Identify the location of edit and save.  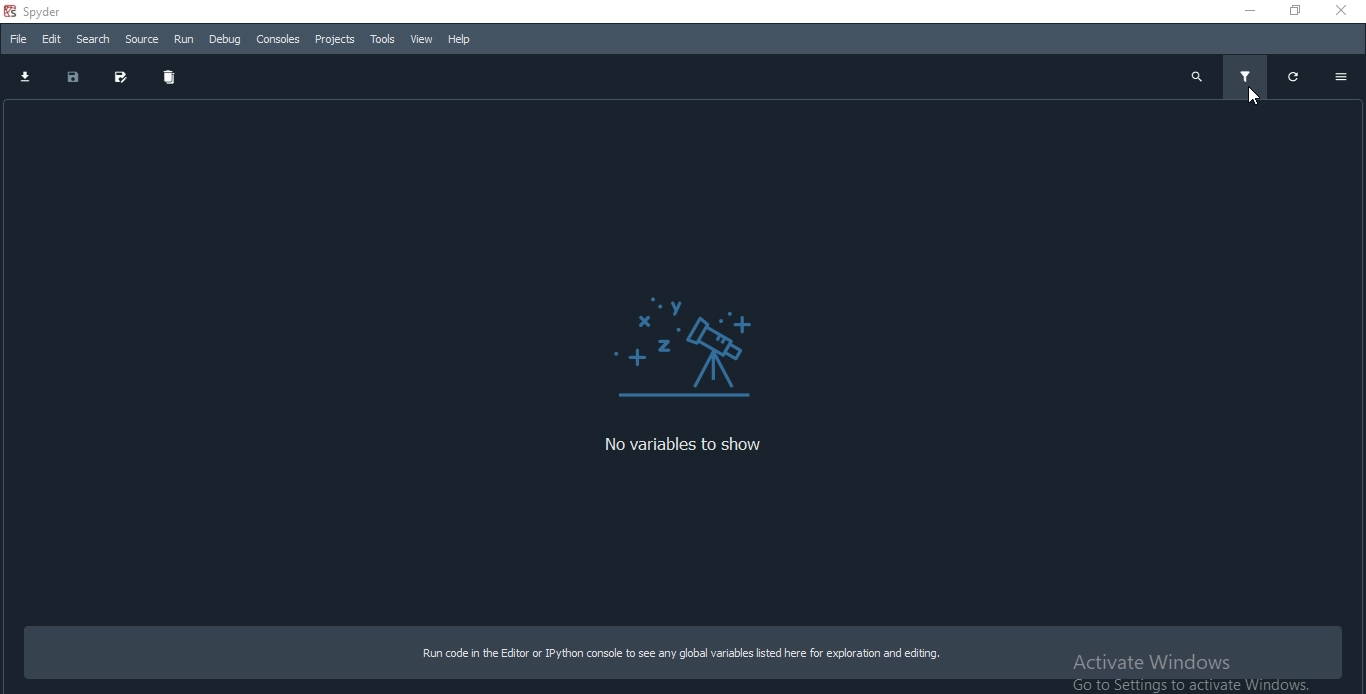
(122, 75).